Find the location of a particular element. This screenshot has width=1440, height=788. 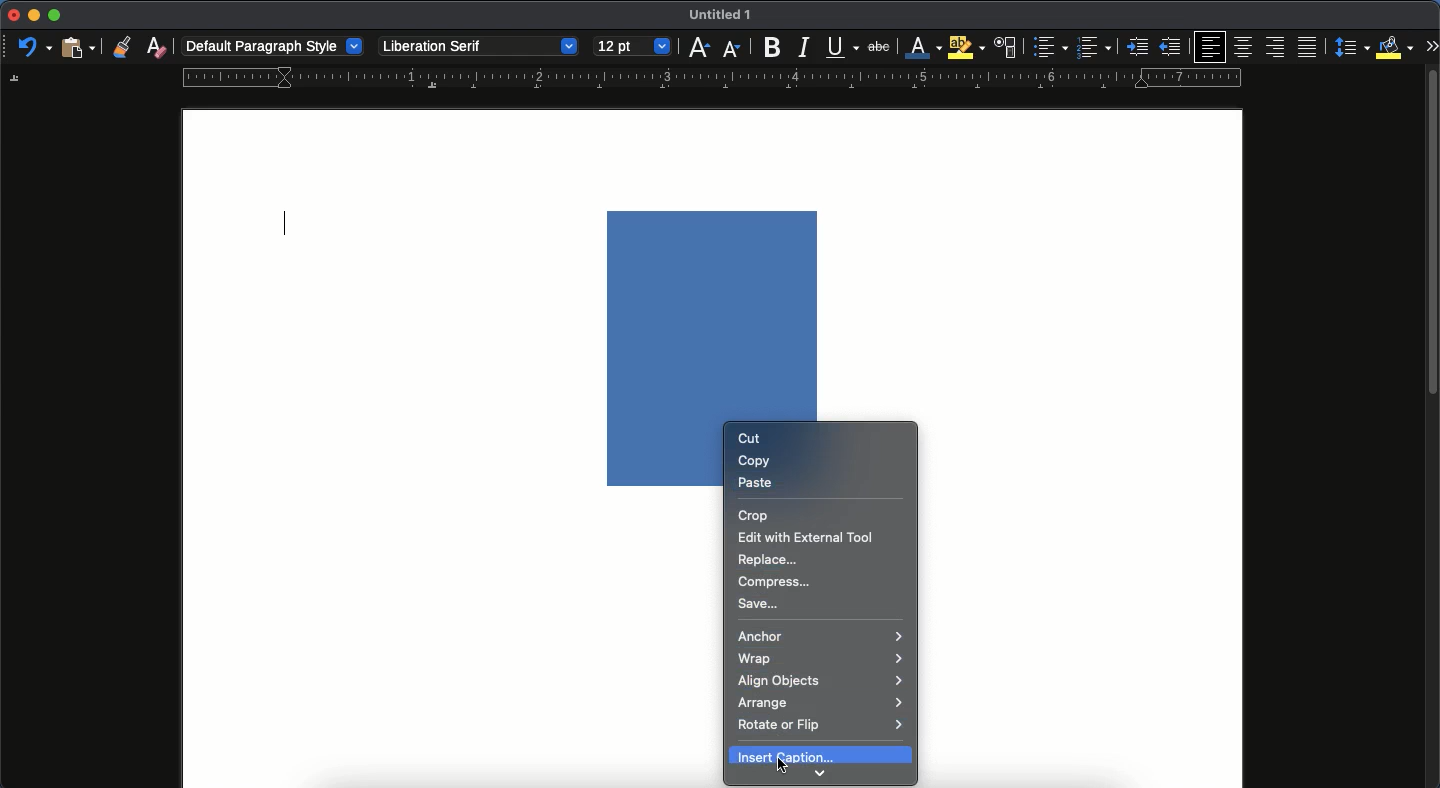

undo is located at coordinates (31, 47).